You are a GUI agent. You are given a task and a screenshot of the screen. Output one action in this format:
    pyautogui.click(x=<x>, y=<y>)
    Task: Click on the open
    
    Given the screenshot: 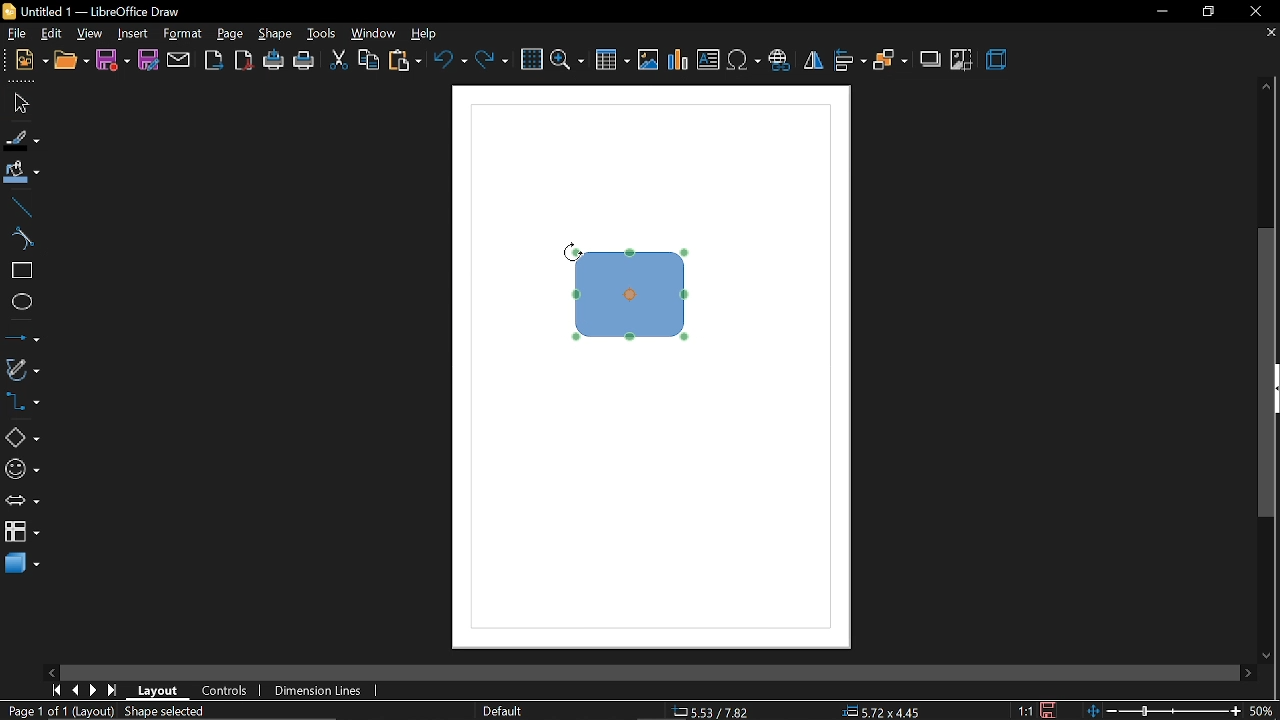 What is the action you would take?
    pyautogui.click(x=72, y=61)
    